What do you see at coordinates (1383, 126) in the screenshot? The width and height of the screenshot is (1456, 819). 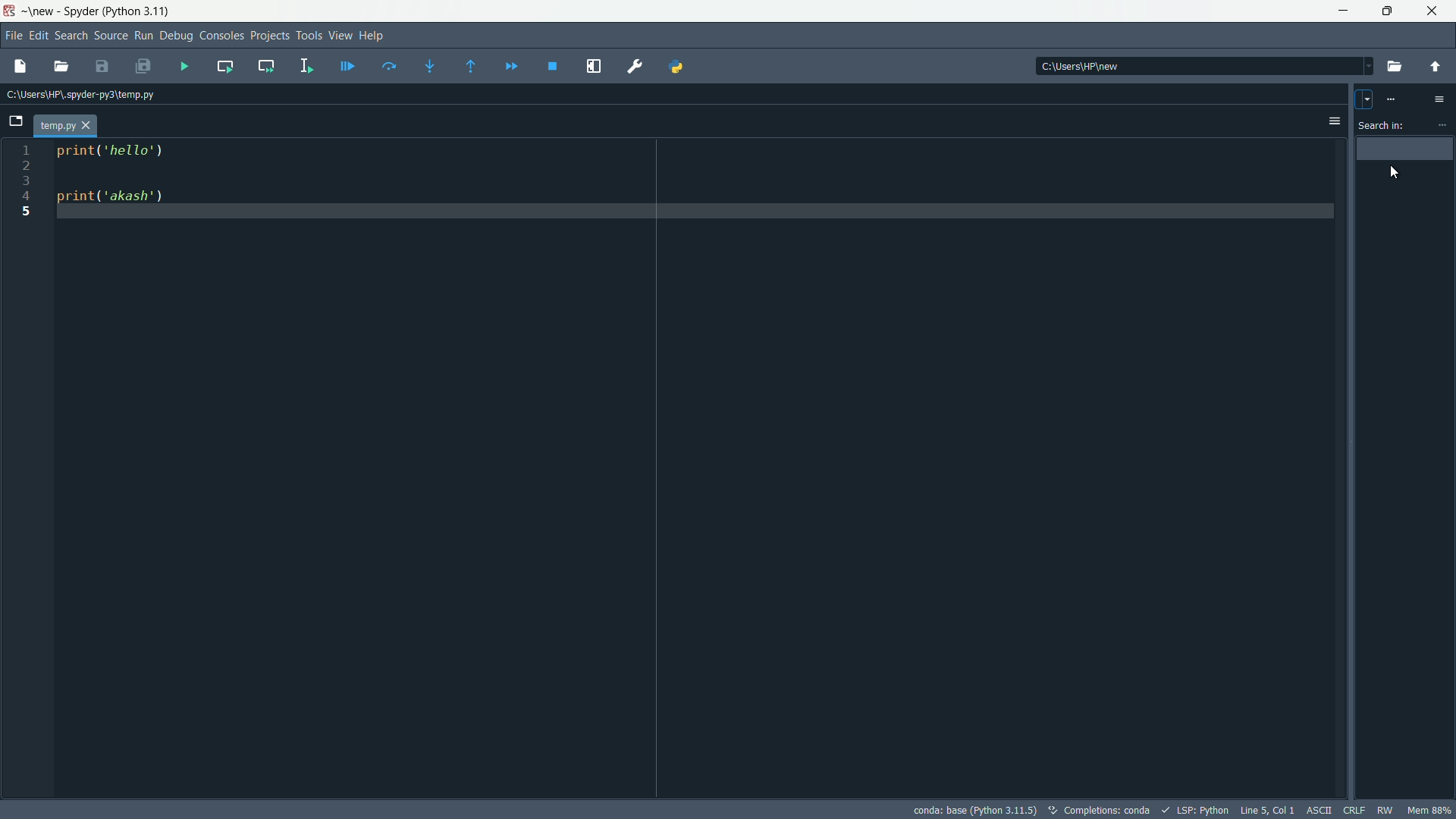 I see `Search in:` at bounding box center [1383, 126].